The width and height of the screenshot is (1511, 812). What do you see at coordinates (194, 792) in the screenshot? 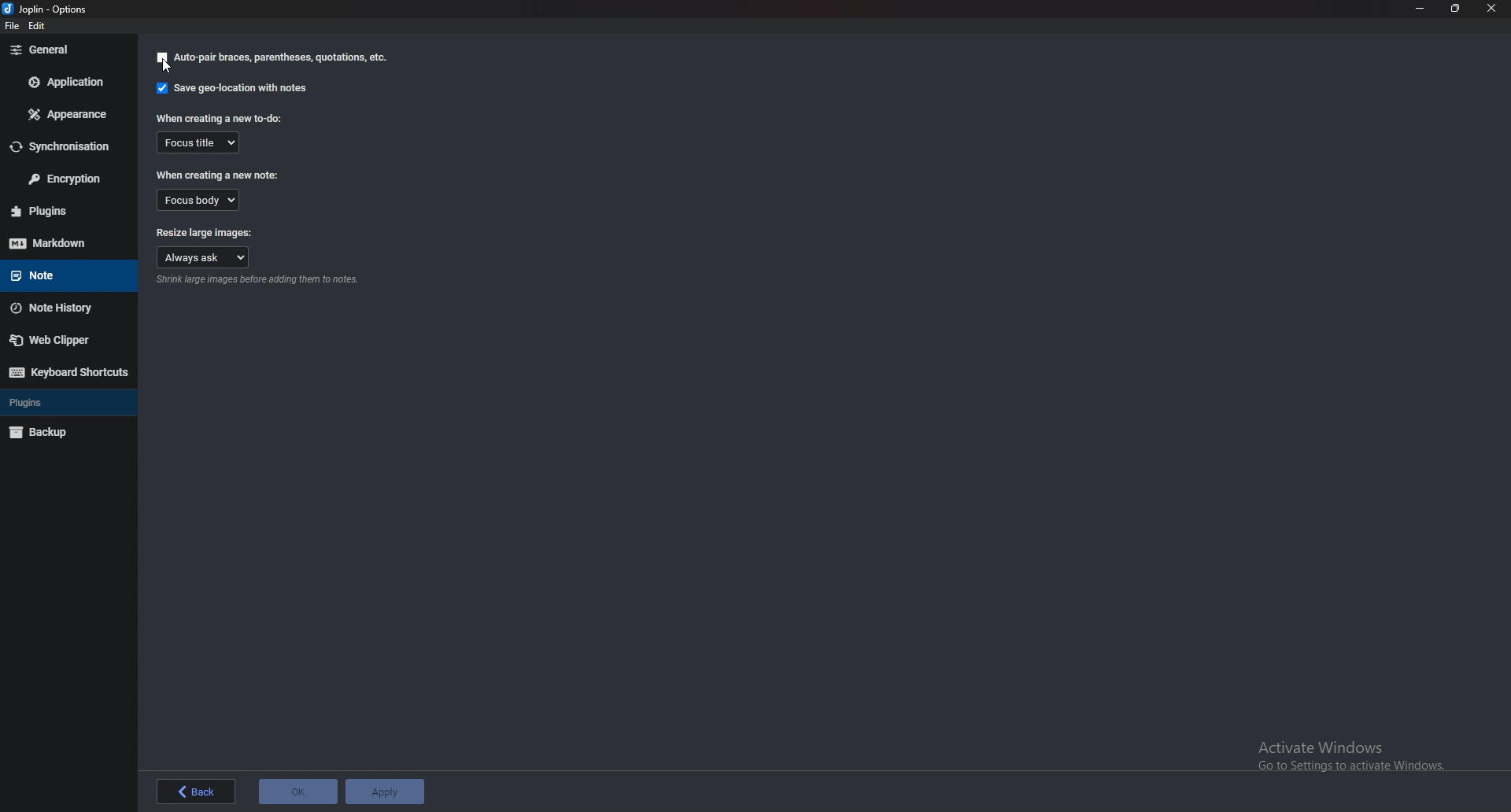
I see `back` at bounding box center [194, 792].